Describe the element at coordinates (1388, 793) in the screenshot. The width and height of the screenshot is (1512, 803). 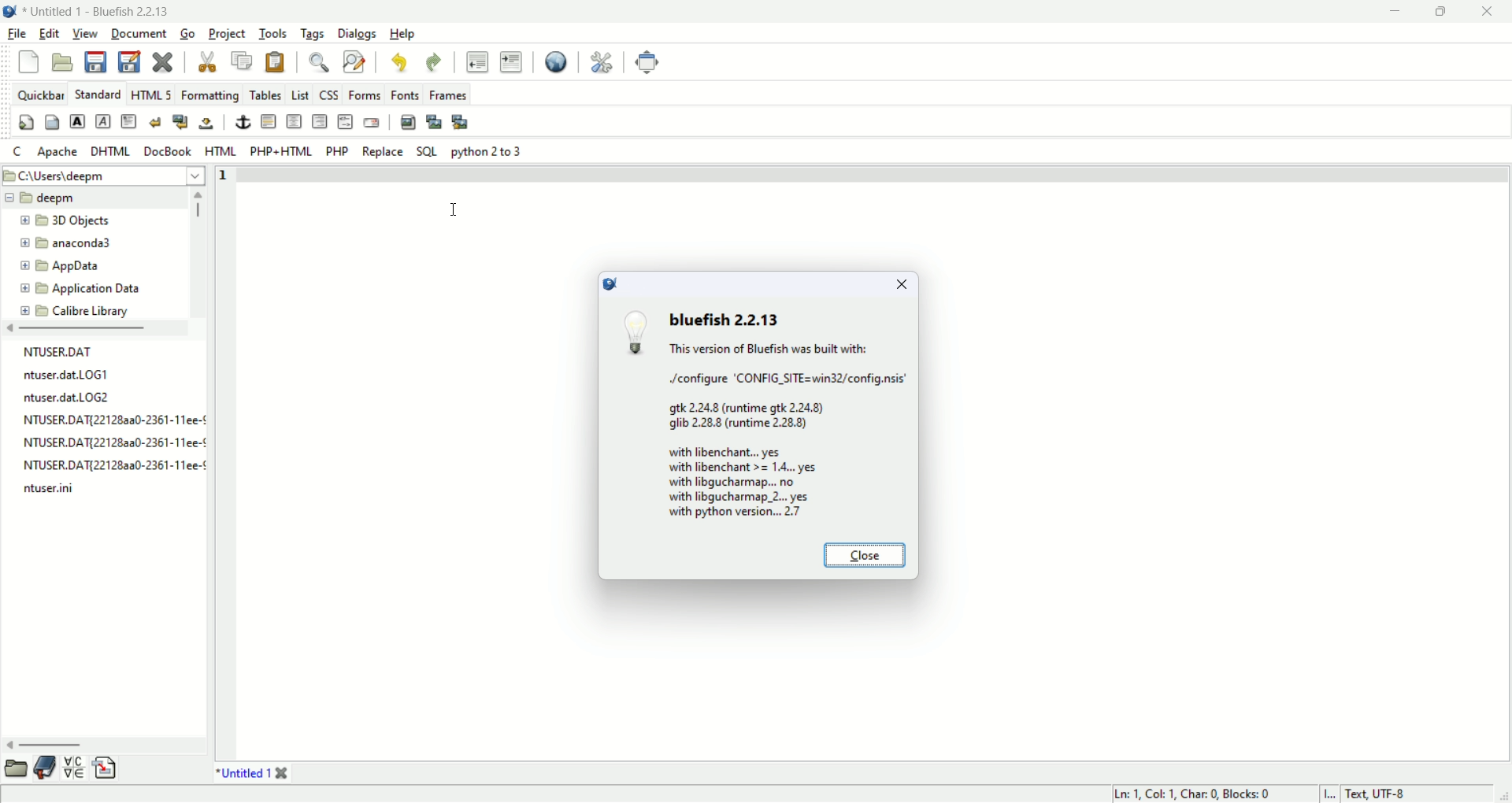
I see `character encoding` at that location.